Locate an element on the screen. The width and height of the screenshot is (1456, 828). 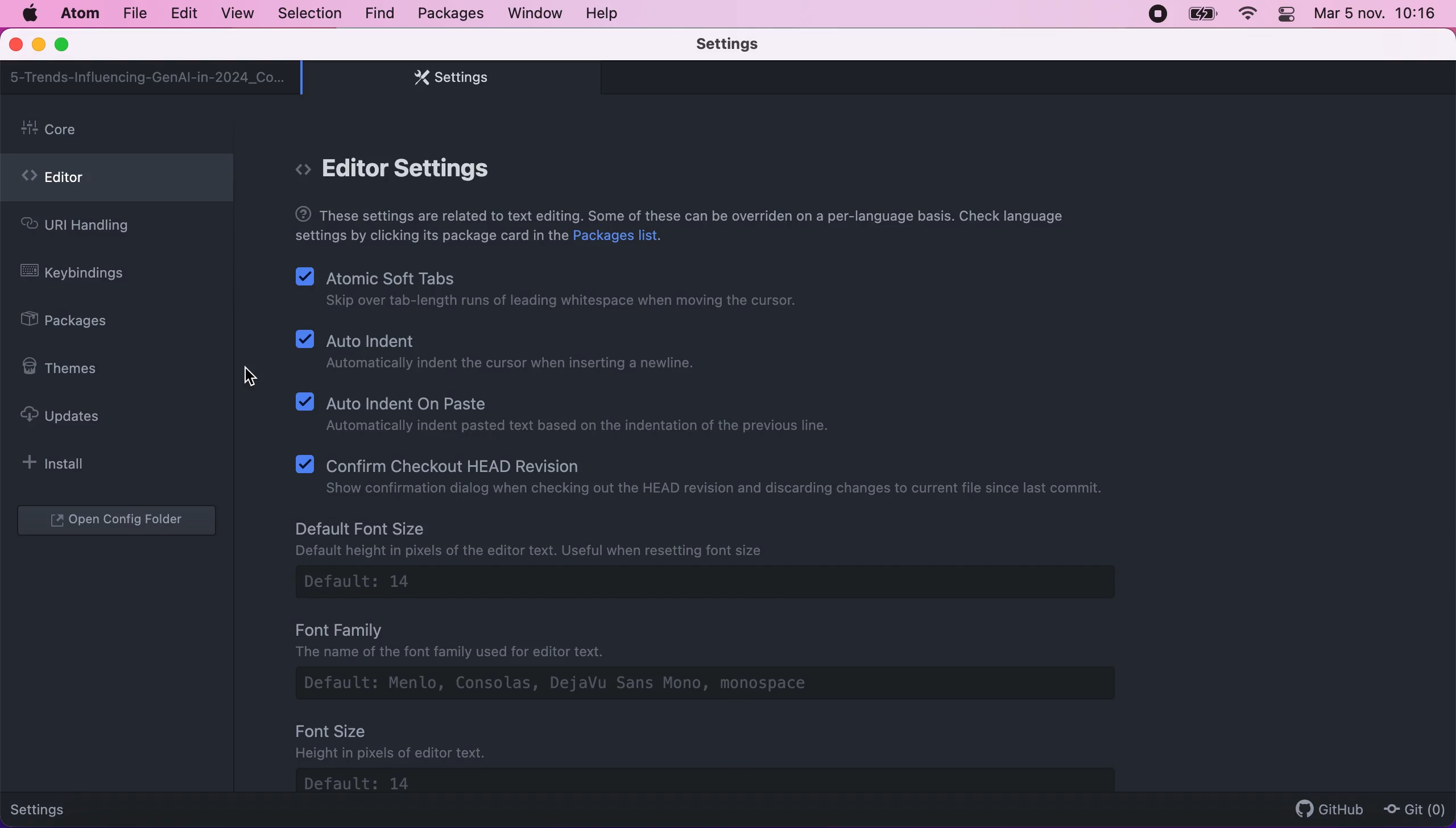
close is located at coordinates (17, 45).